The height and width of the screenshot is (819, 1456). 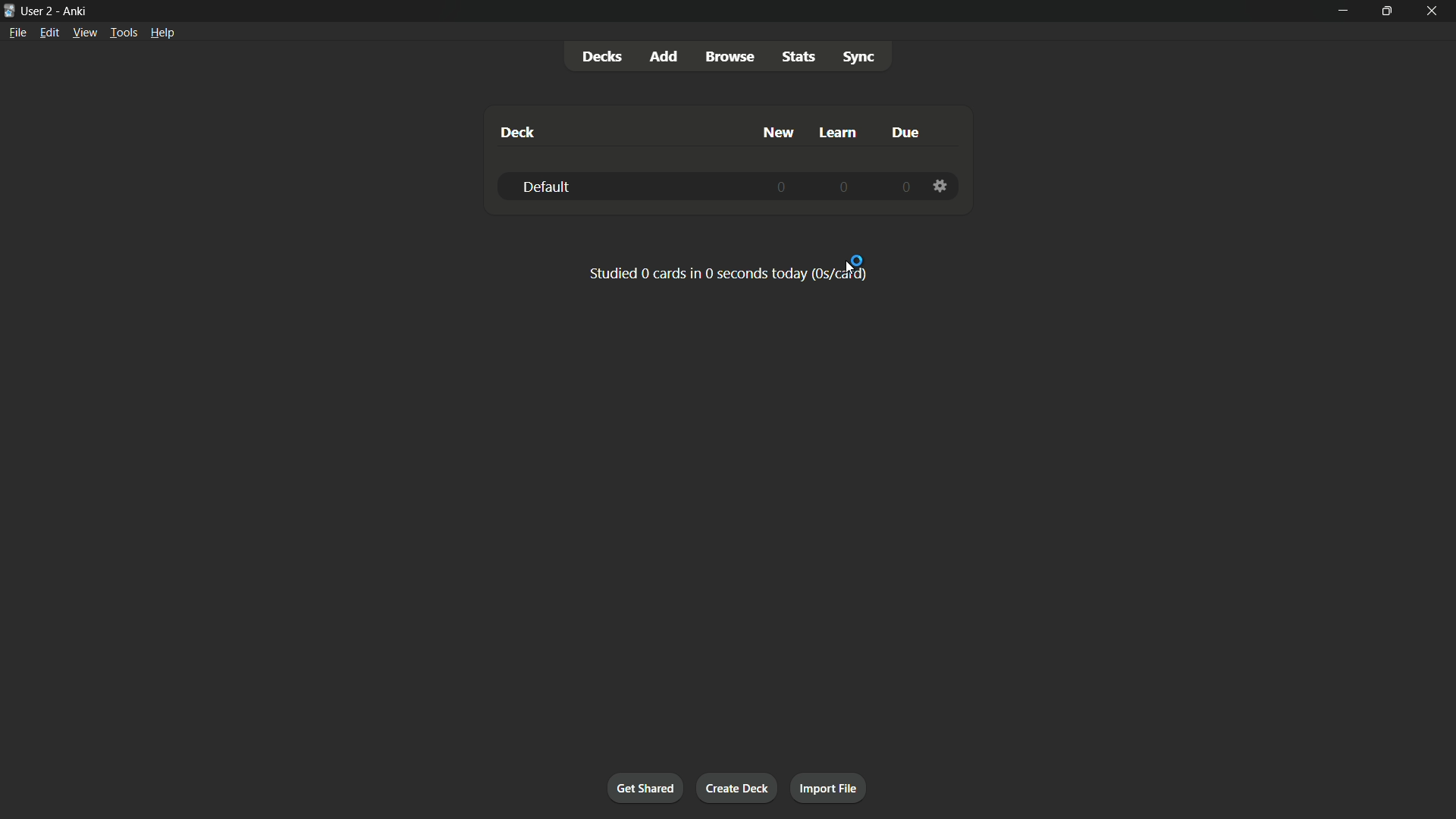 What do you see at coordinates (777, 133) in the screenshot?
I see `New` at bounding box center [777, 133].